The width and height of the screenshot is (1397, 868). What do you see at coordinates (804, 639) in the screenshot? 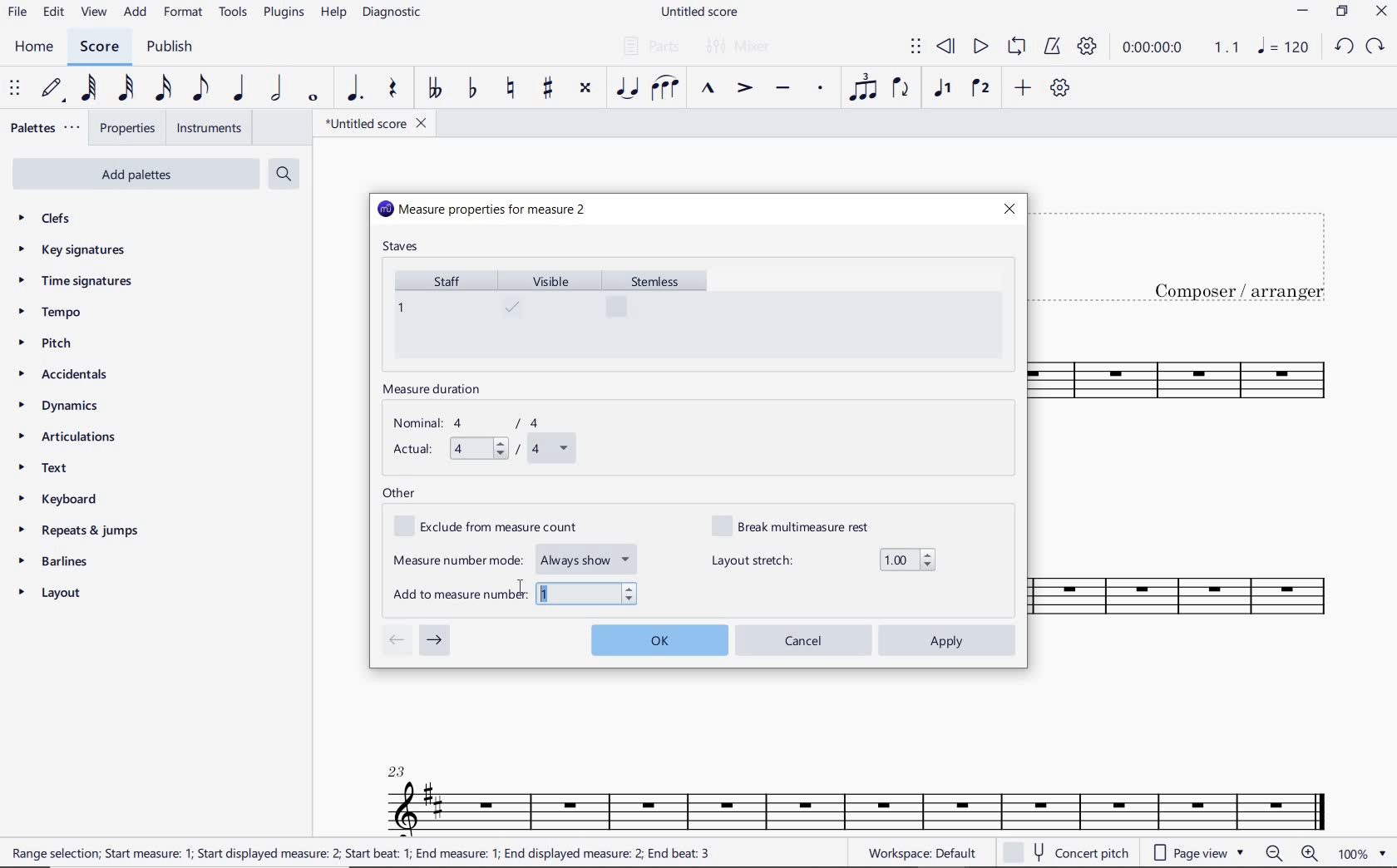
I see `cancel` at bounding box center [804, 639].